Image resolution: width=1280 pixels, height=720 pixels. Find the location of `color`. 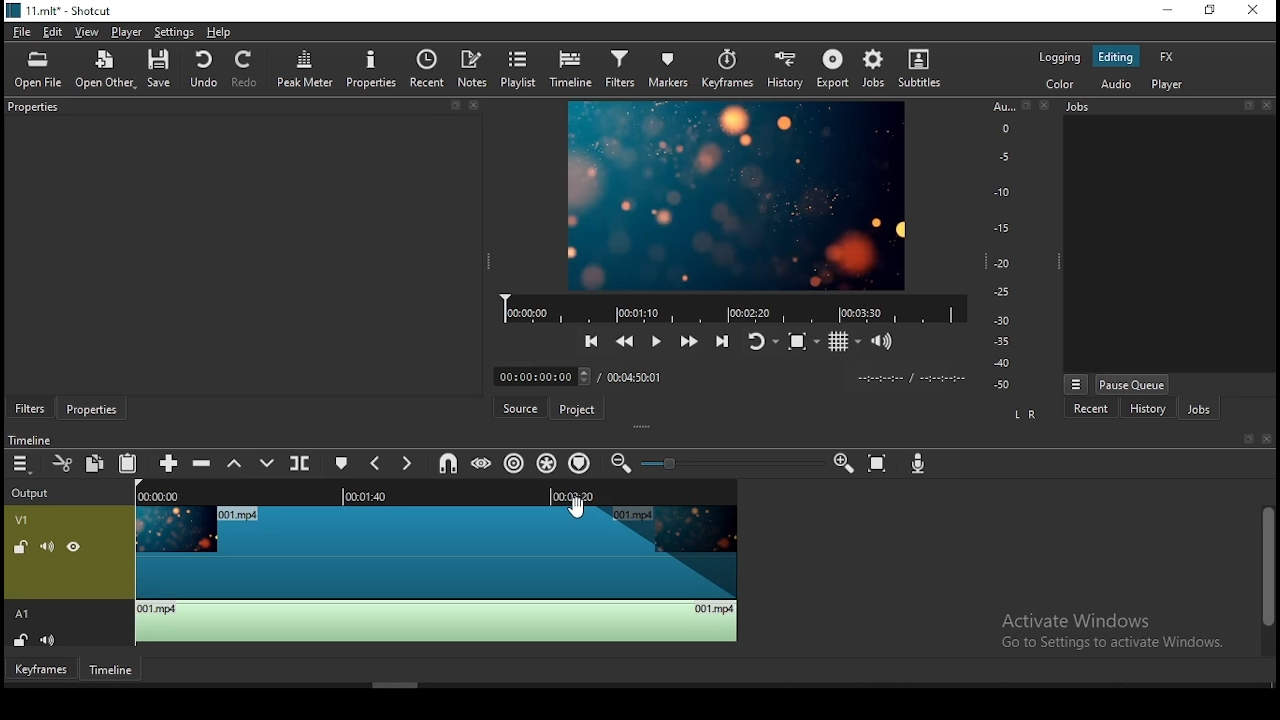

color is located at coordinates (1067, 86).